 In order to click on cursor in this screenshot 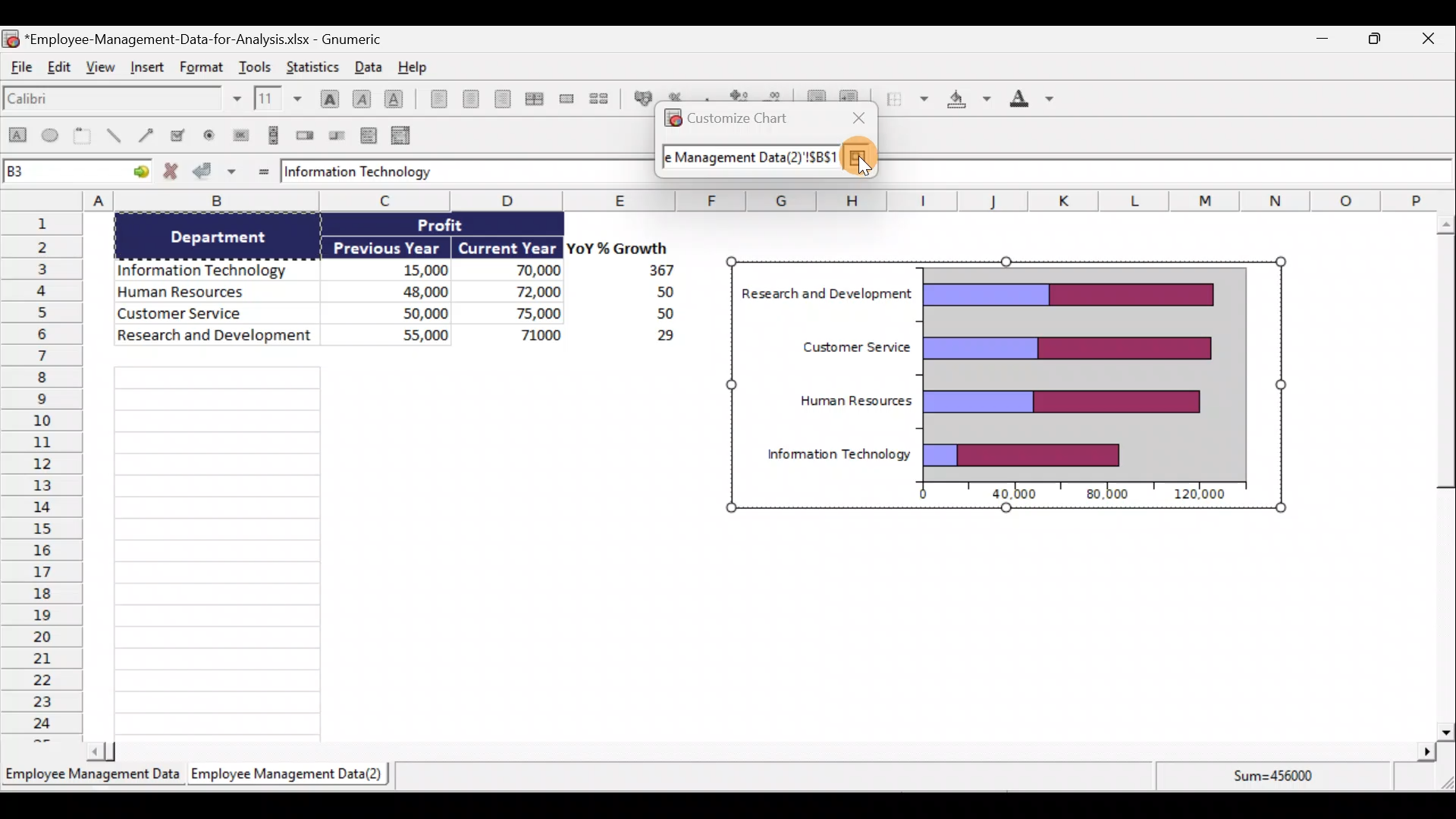, I will do `click(867, 166)`.